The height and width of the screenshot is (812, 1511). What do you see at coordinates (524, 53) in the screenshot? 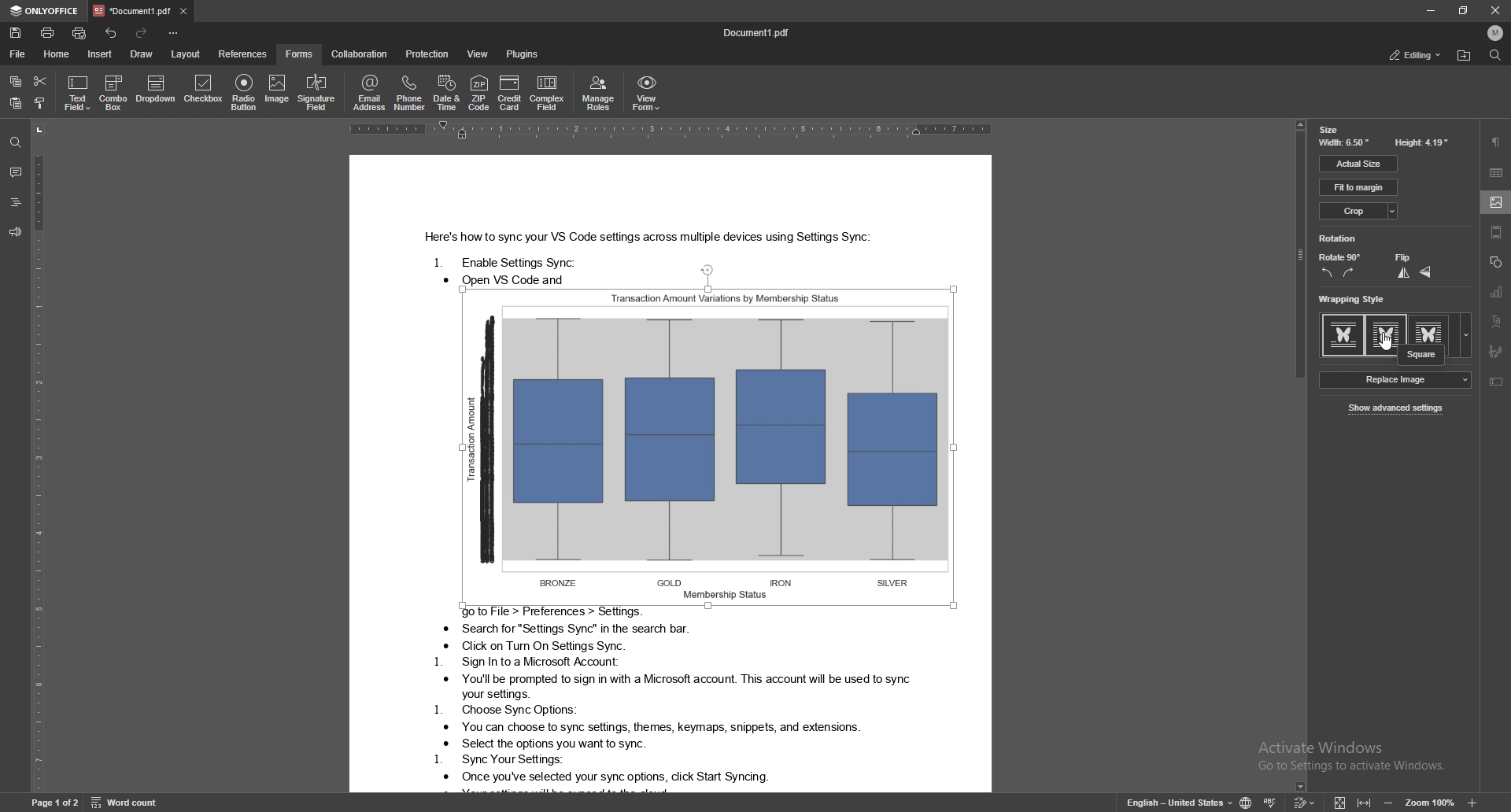
I see `plugins` at bounding box center [524, 53].